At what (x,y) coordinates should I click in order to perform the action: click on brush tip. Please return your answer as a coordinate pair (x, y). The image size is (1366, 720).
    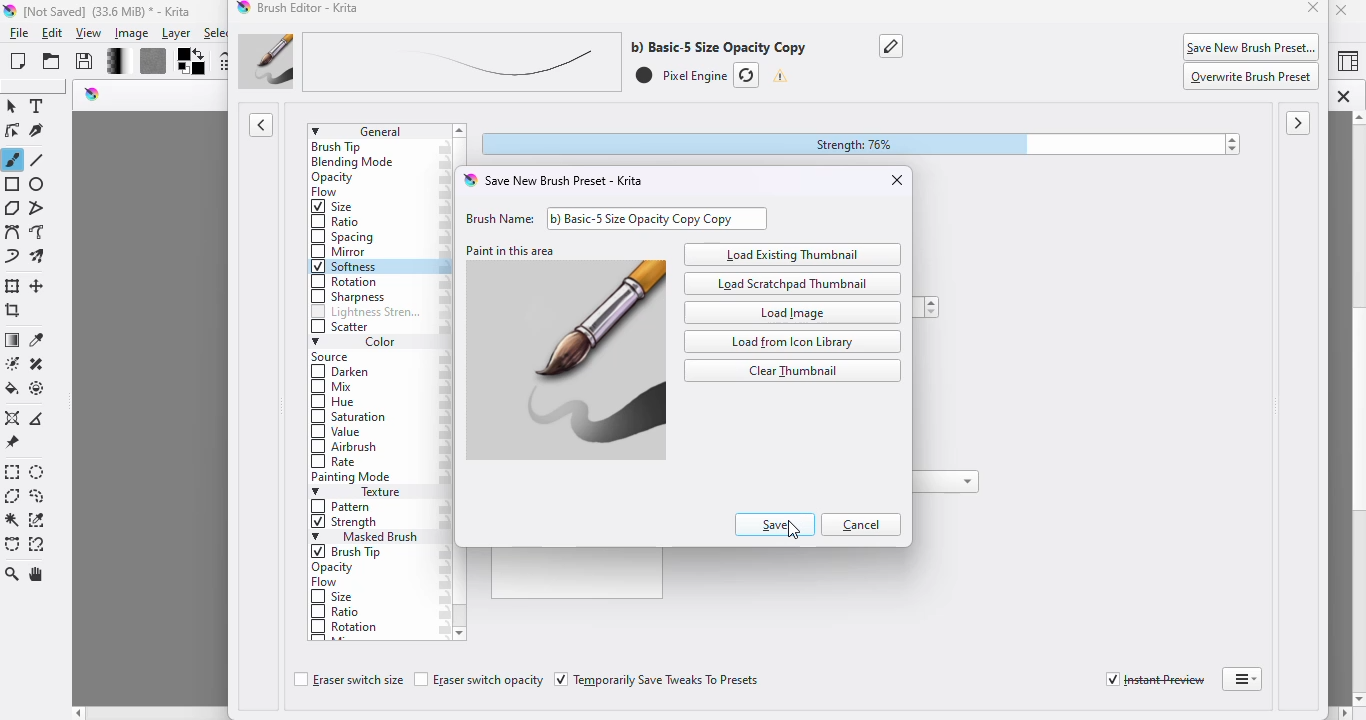
    Looking at the image, I should click on (337, 147).